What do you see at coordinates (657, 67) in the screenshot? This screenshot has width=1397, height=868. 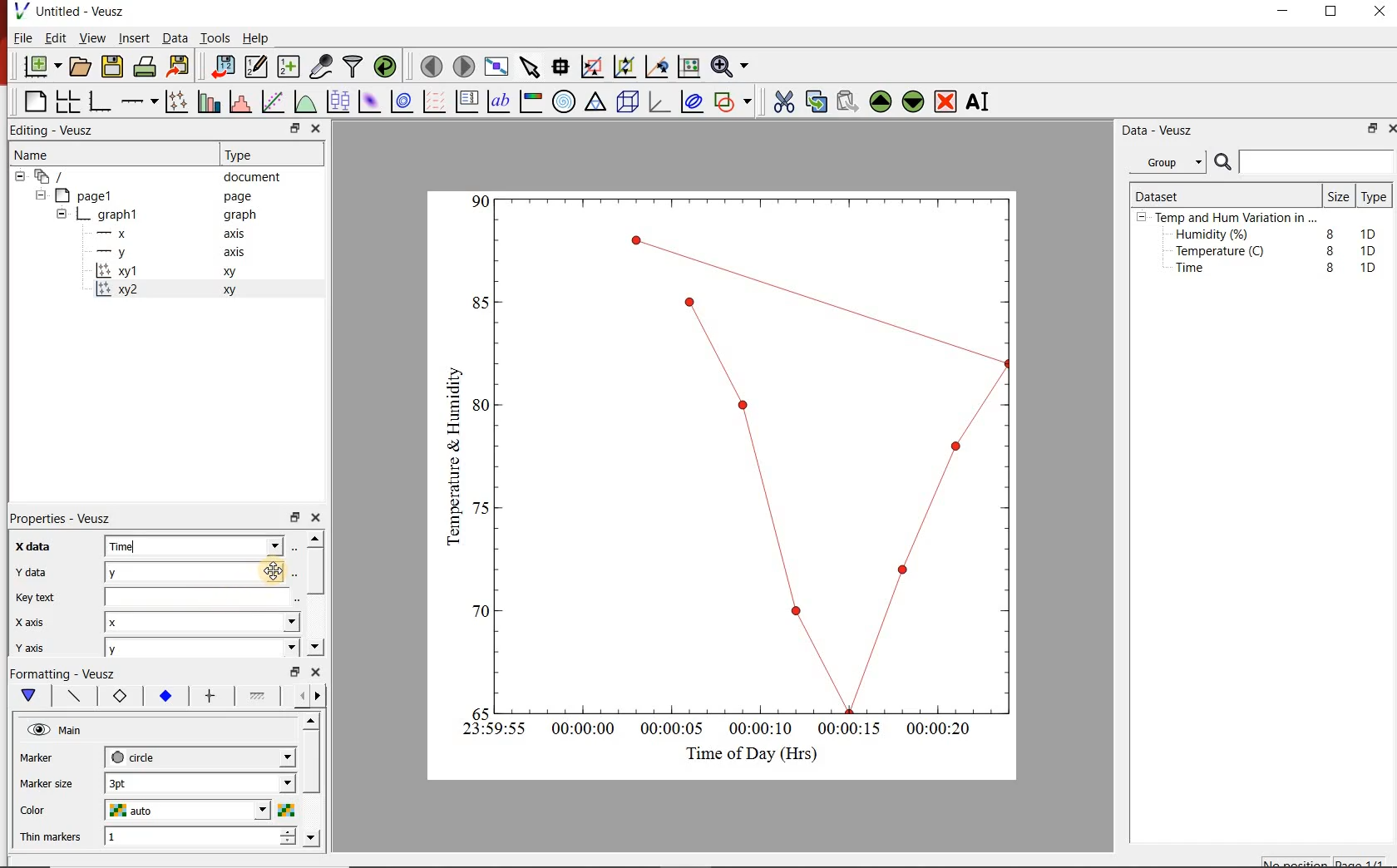 I see `click to recenter graph axes` at bounding box center [657, 67].